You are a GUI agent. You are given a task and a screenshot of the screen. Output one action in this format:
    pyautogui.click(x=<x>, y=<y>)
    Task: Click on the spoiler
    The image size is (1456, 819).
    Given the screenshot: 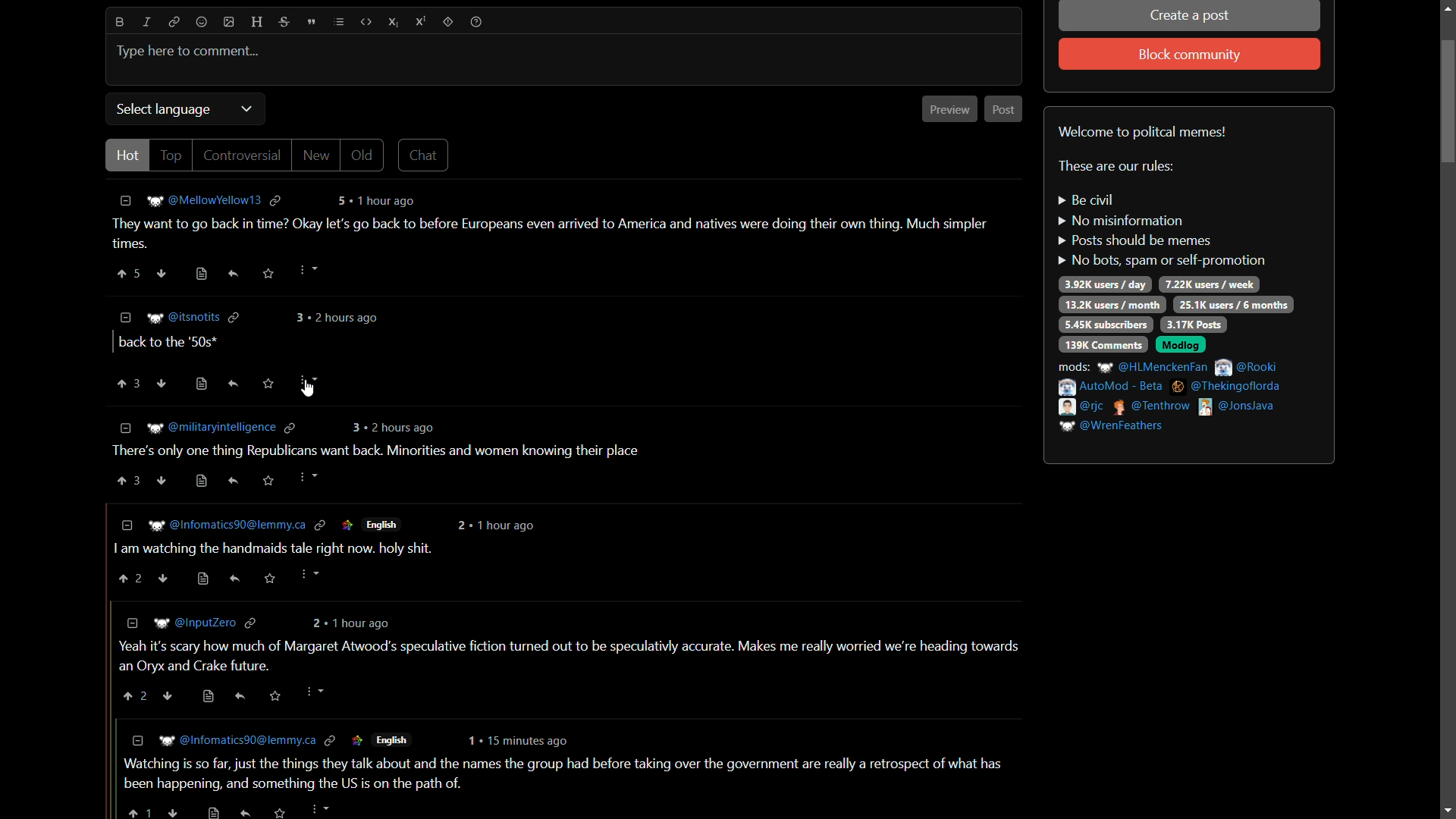 What is the action you would take?
    pyautogui.click(x=448, y=22)
    